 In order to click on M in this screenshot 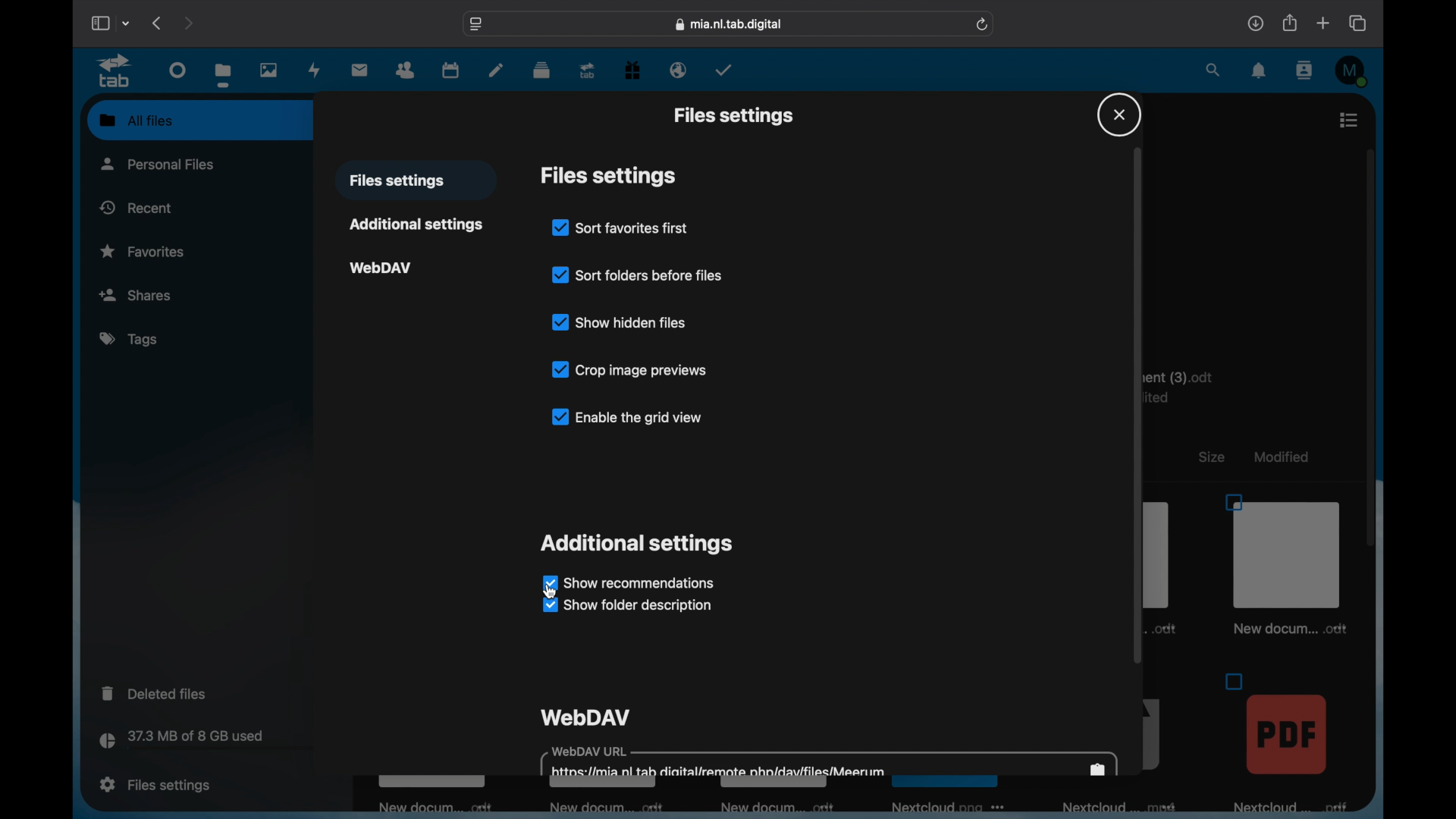, I will do `click(1352, 72)`.